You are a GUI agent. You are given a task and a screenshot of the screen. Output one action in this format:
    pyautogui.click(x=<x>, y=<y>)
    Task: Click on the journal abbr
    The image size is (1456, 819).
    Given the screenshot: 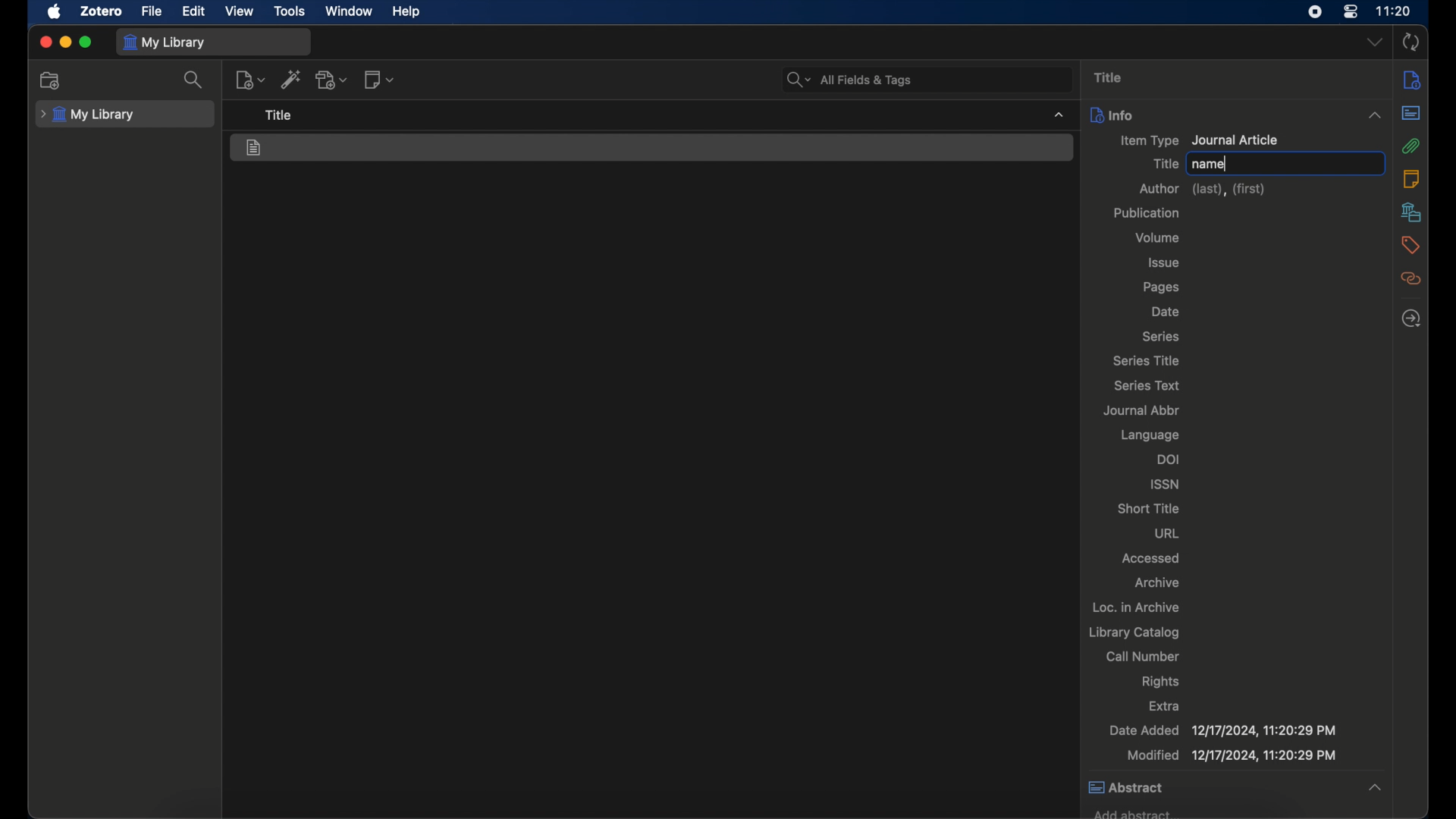 What is the action you would take?
    pyautogui.click(x=1141, y=409)
    